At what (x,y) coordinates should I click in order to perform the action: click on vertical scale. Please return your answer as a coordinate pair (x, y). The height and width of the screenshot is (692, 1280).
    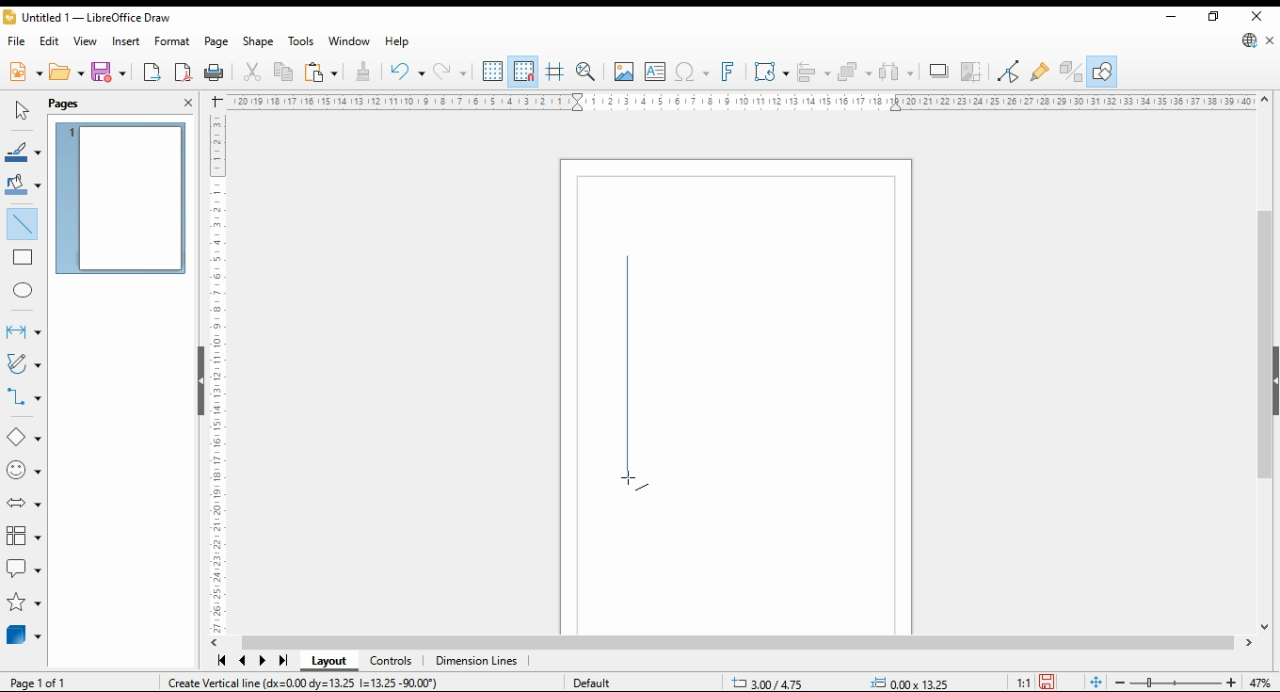
    Looking at the image, I should click on (219, 369).